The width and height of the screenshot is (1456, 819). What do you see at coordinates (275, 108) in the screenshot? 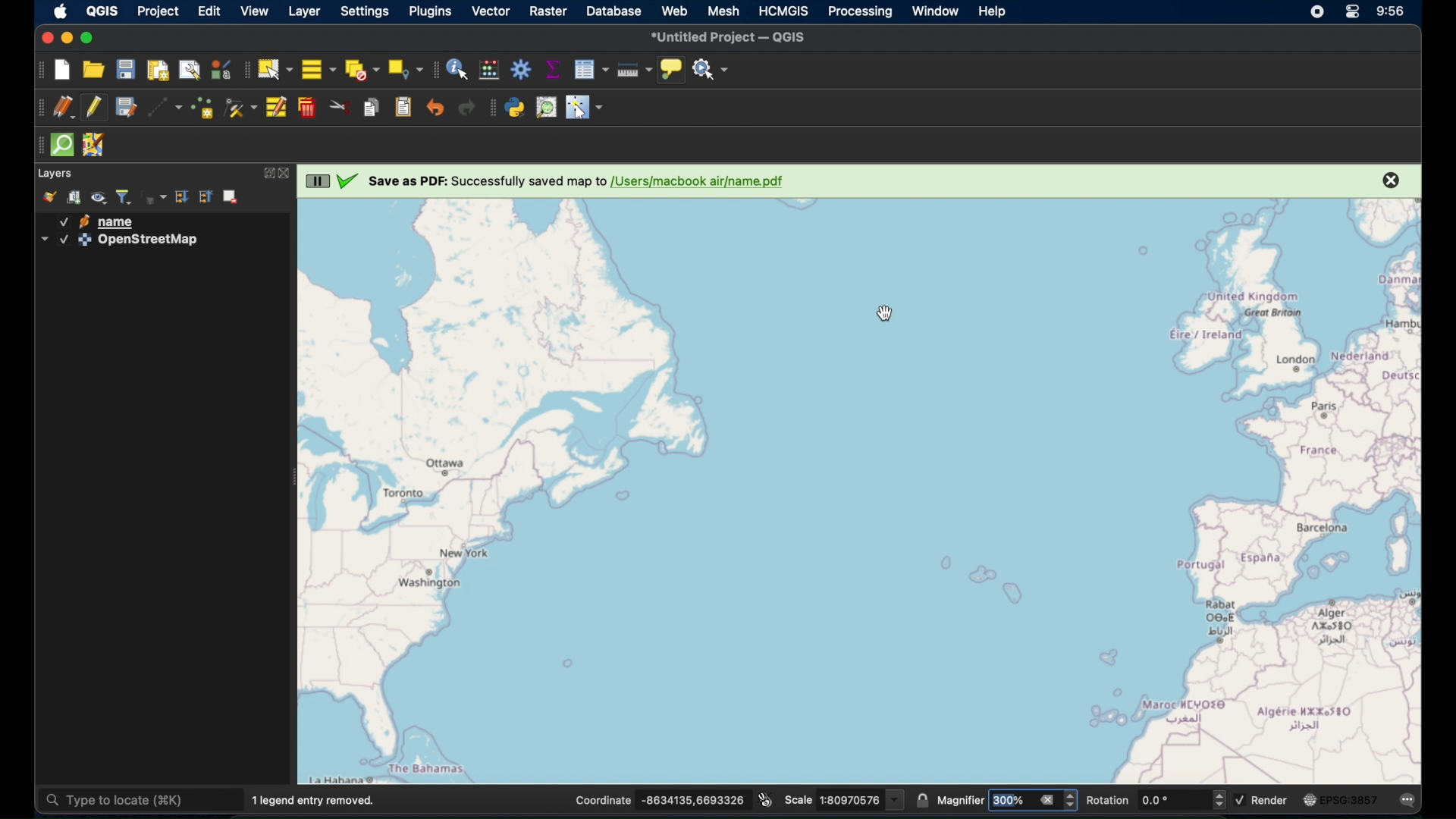
I see `modify attributes ` at bounding box center [275, 108].